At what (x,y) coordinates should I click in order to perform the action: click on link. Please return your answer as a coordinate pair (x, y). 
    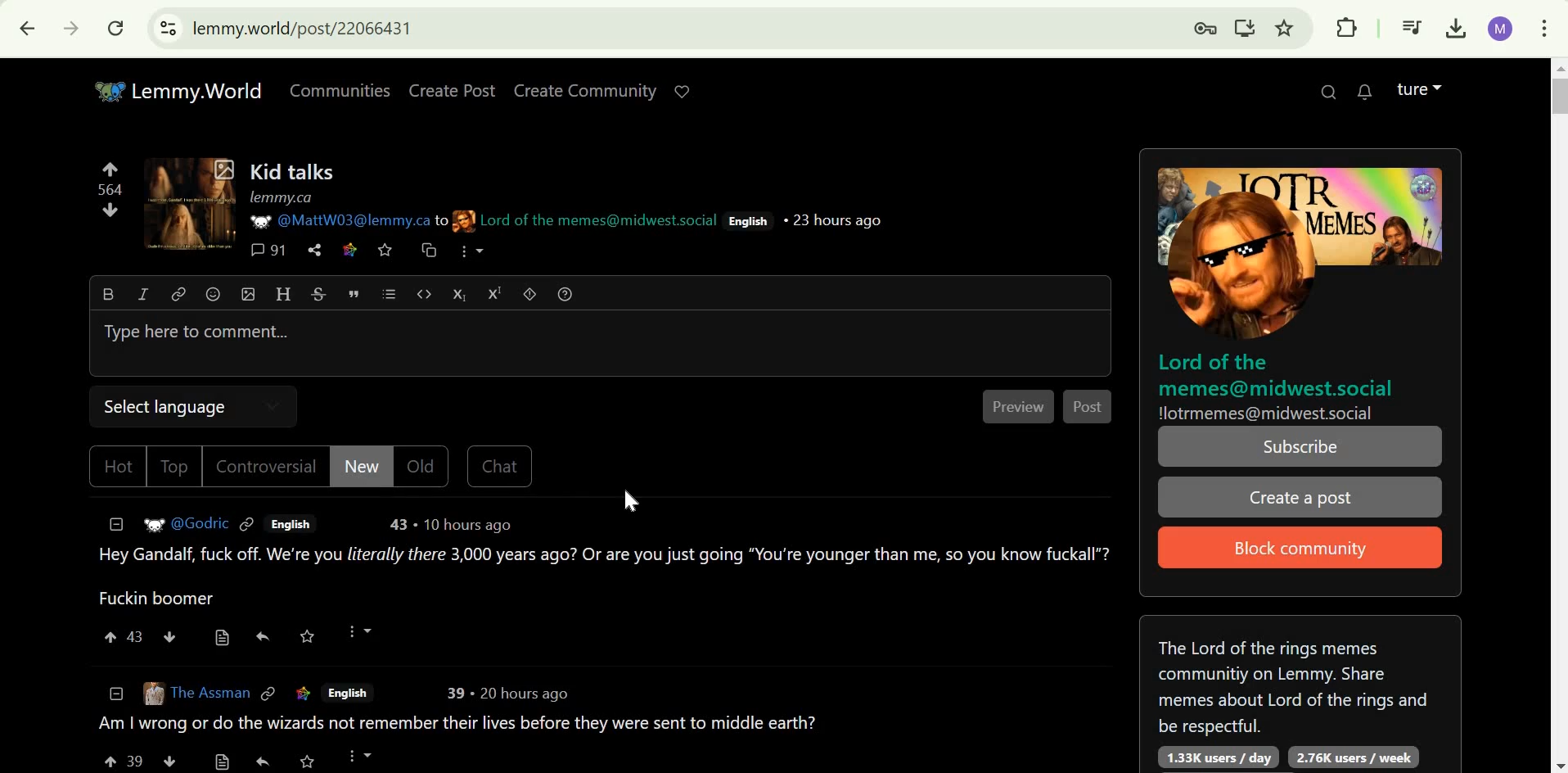
    Looking at the image, I should click on (178, 296).